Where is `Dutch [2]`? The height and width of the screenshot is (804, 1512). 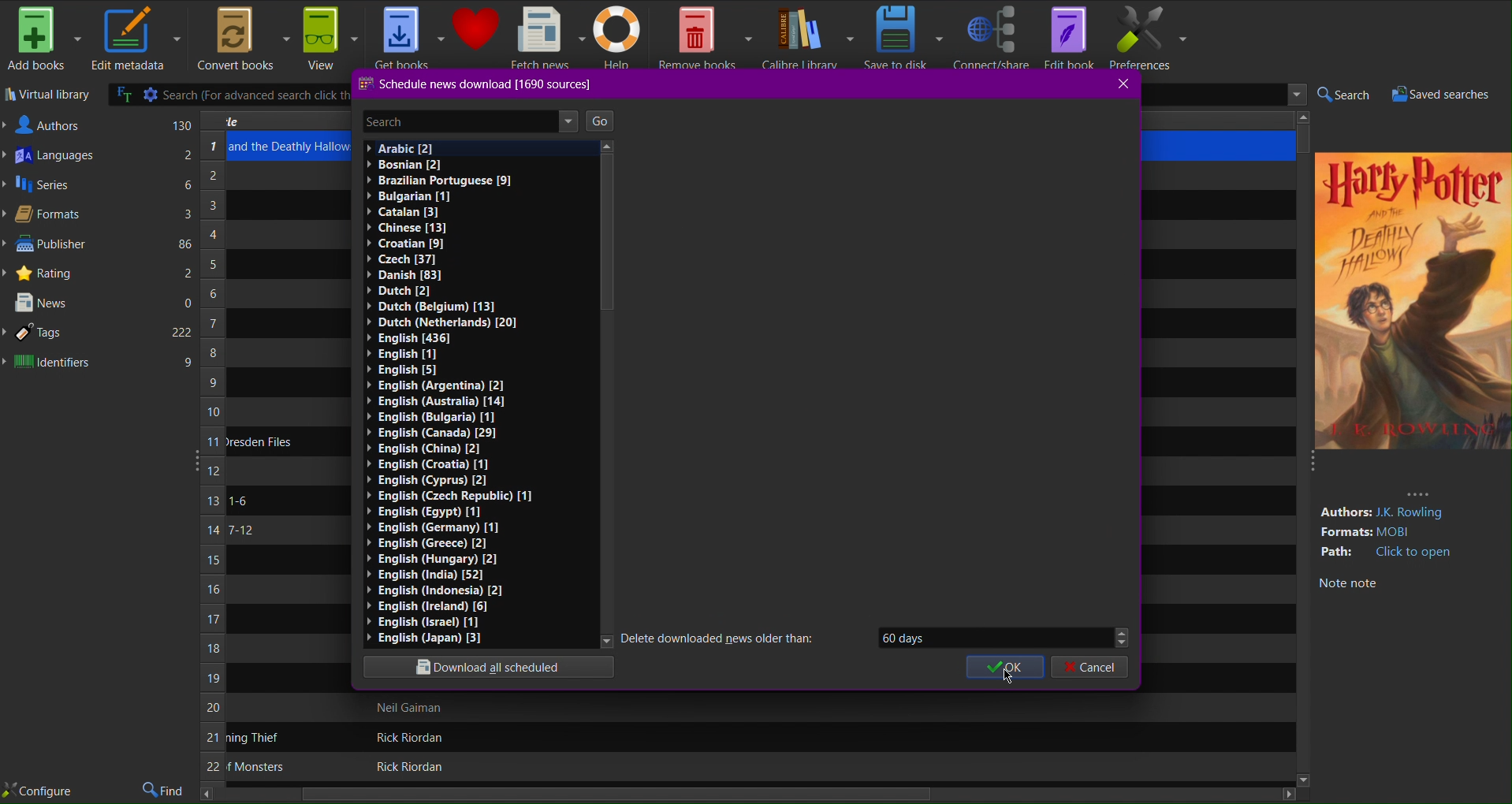 Dutch [2] is located at coordinates (402, 289).